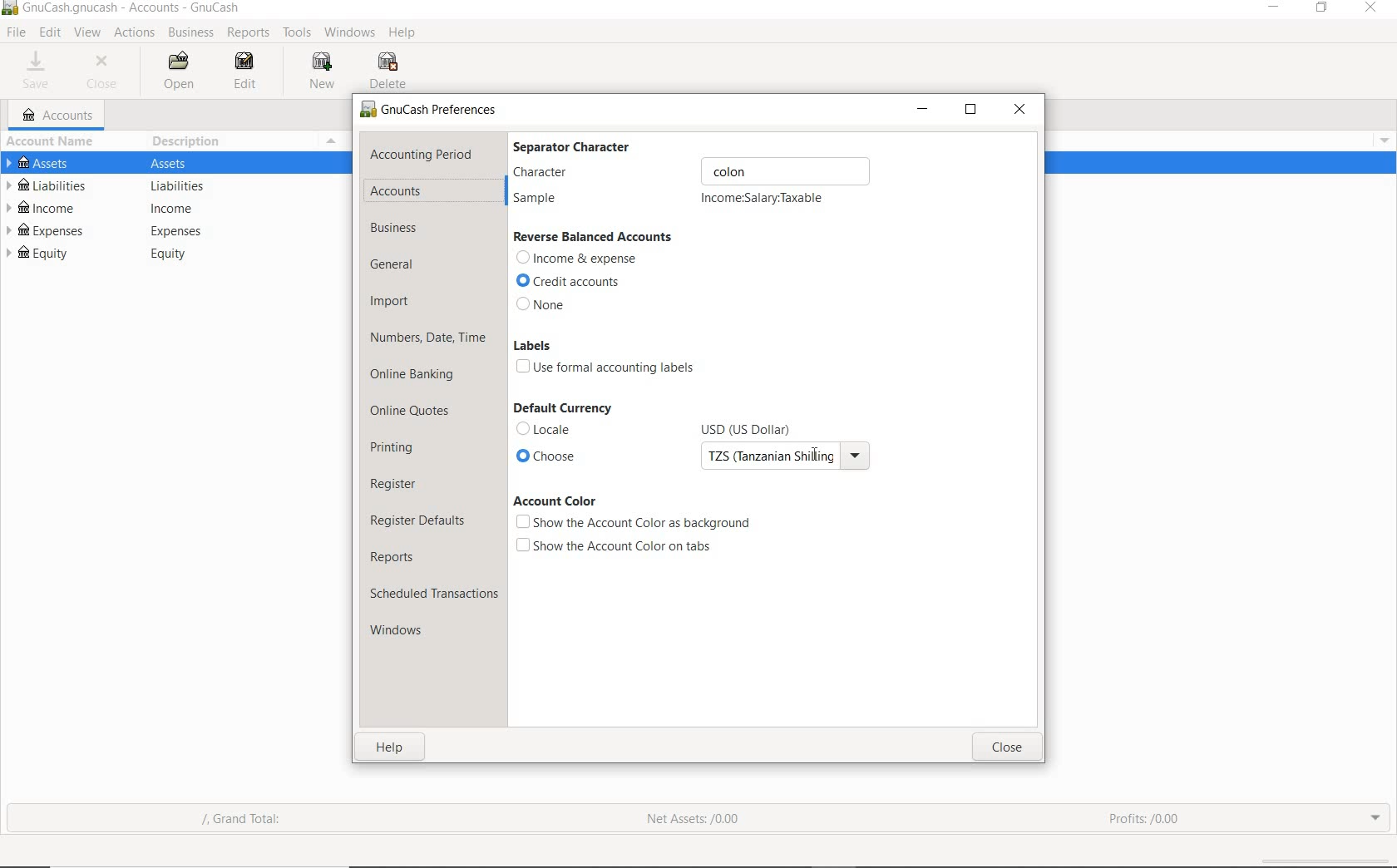 The image size is (1397, 868). Describe the element at coordinates (49, 32) in the screenshot. I see `EDIT` at that location.